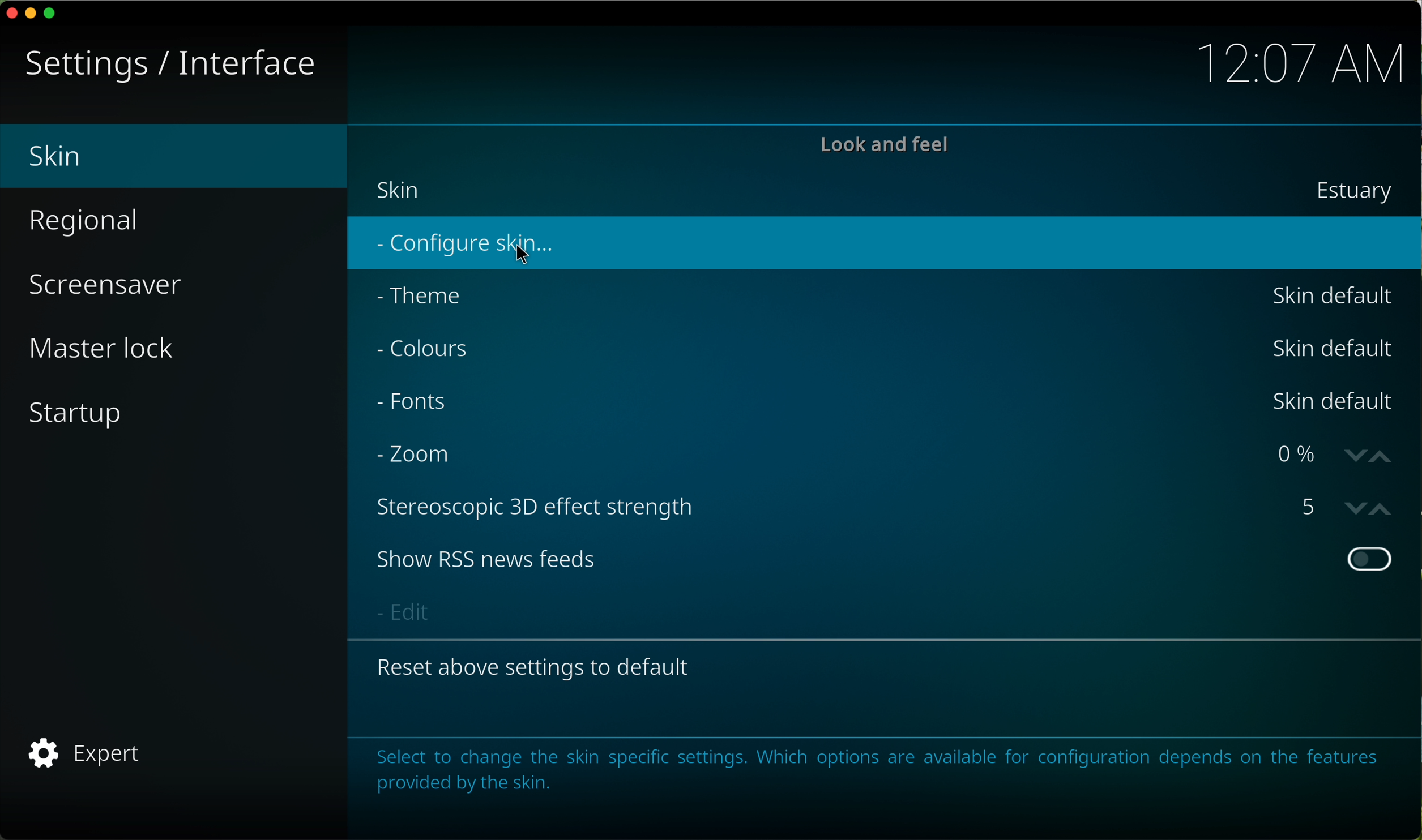  Describe the element at coordinates (887, 352) in the screenshot. I see `colours` at that location.